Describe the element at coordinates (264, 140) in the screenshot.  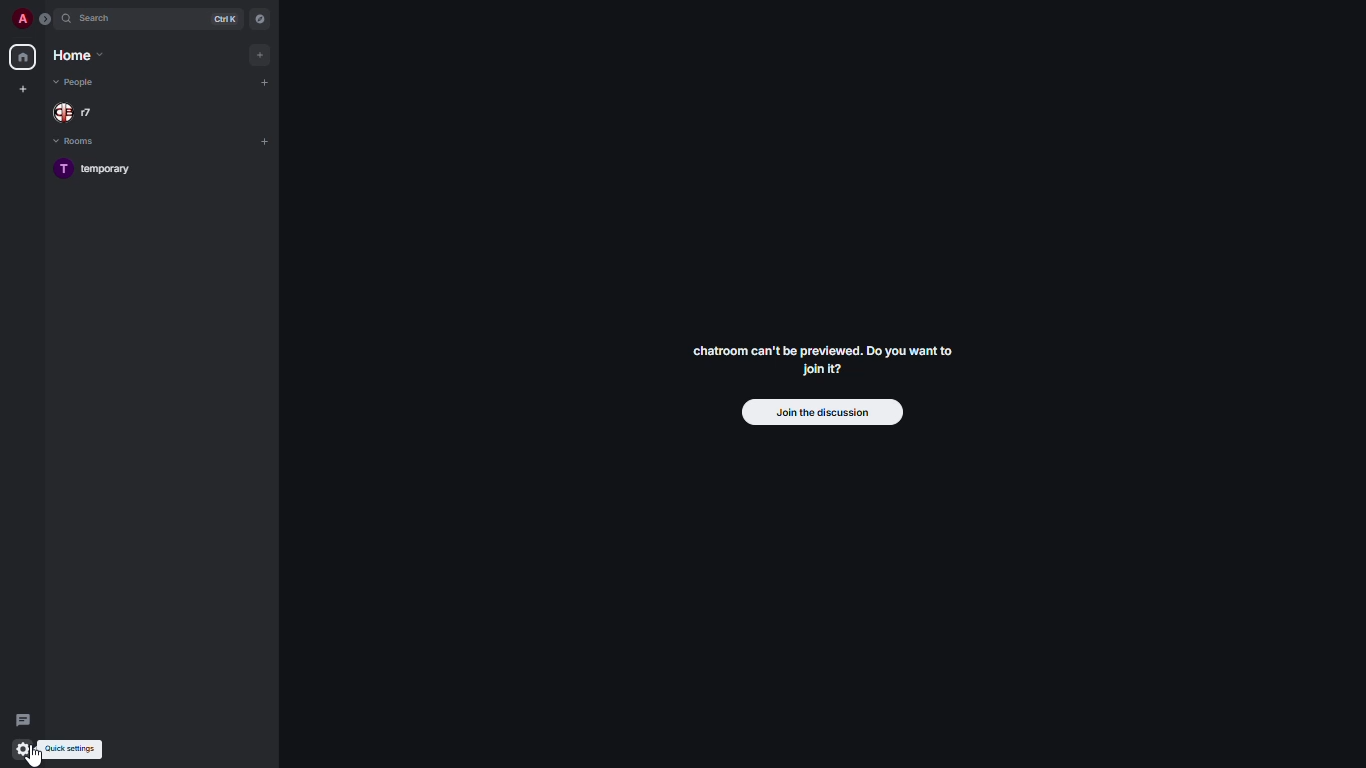
I see `add` at that location.